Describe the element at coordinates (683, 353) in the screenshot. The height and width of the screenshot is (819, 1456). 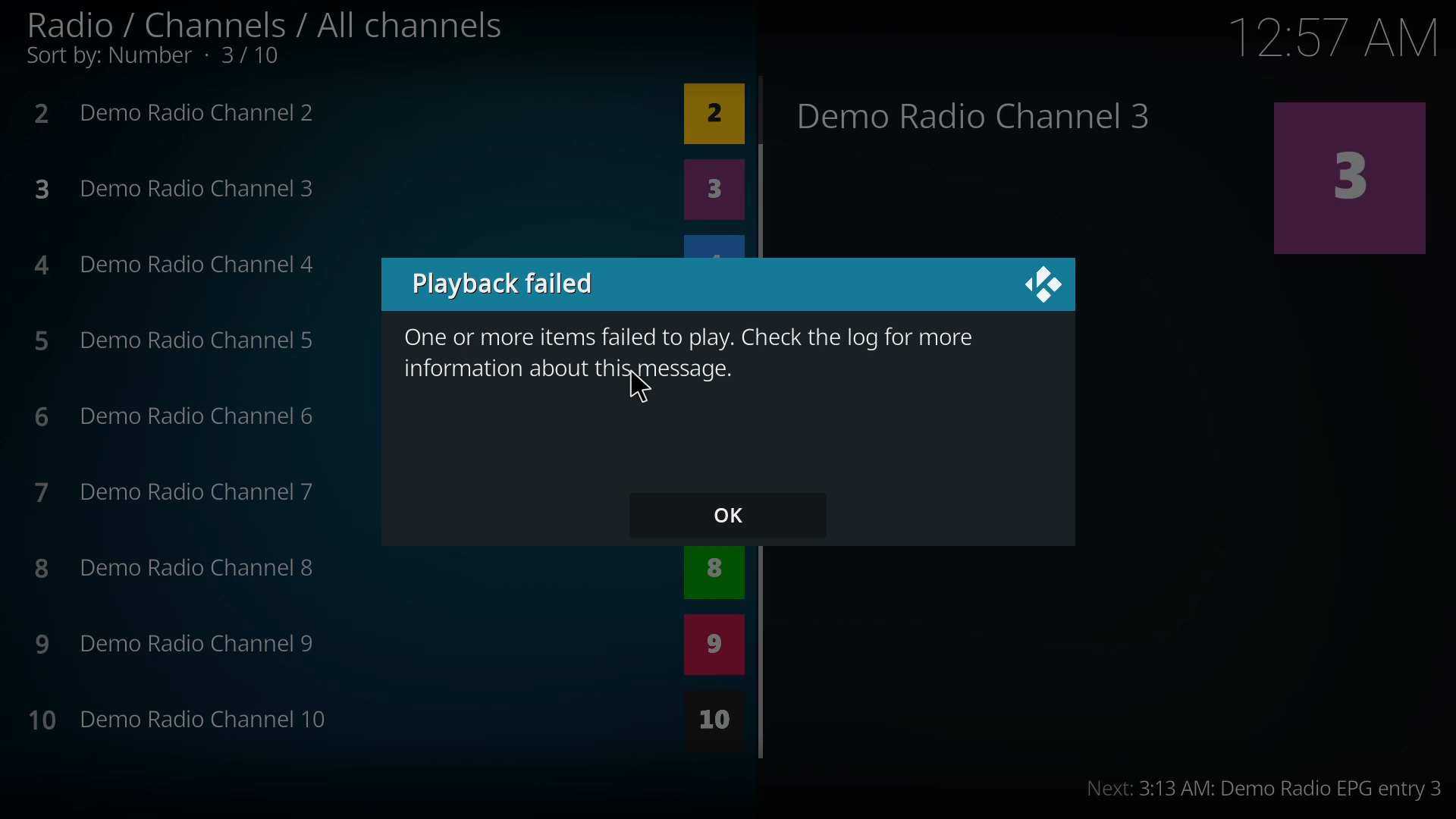
I see `One or more items failed to play. Check the log for more information about this messaage.` at that location.